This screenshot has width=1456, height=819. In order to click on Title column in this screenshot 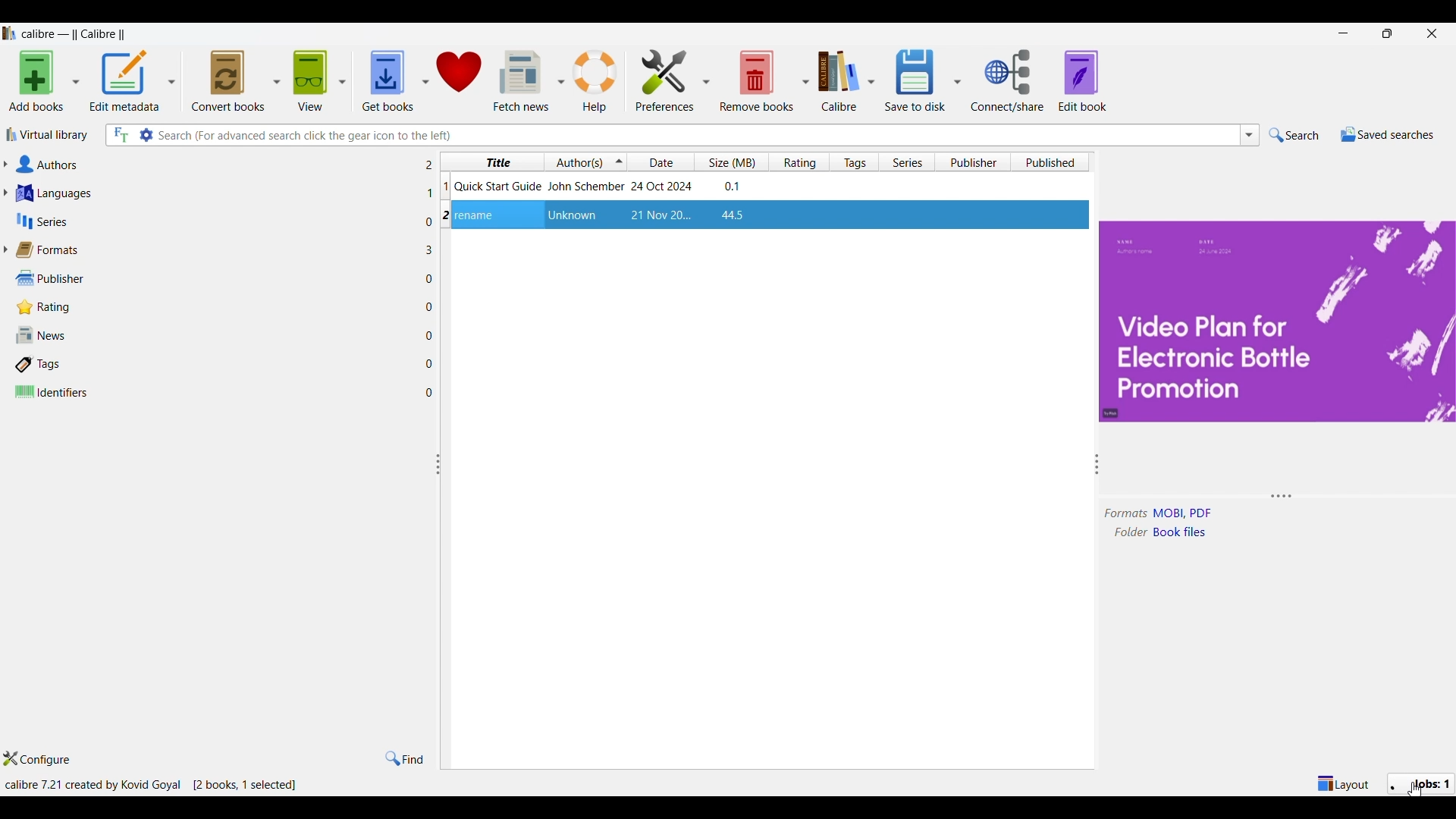, I will do `click(491, 162)`.